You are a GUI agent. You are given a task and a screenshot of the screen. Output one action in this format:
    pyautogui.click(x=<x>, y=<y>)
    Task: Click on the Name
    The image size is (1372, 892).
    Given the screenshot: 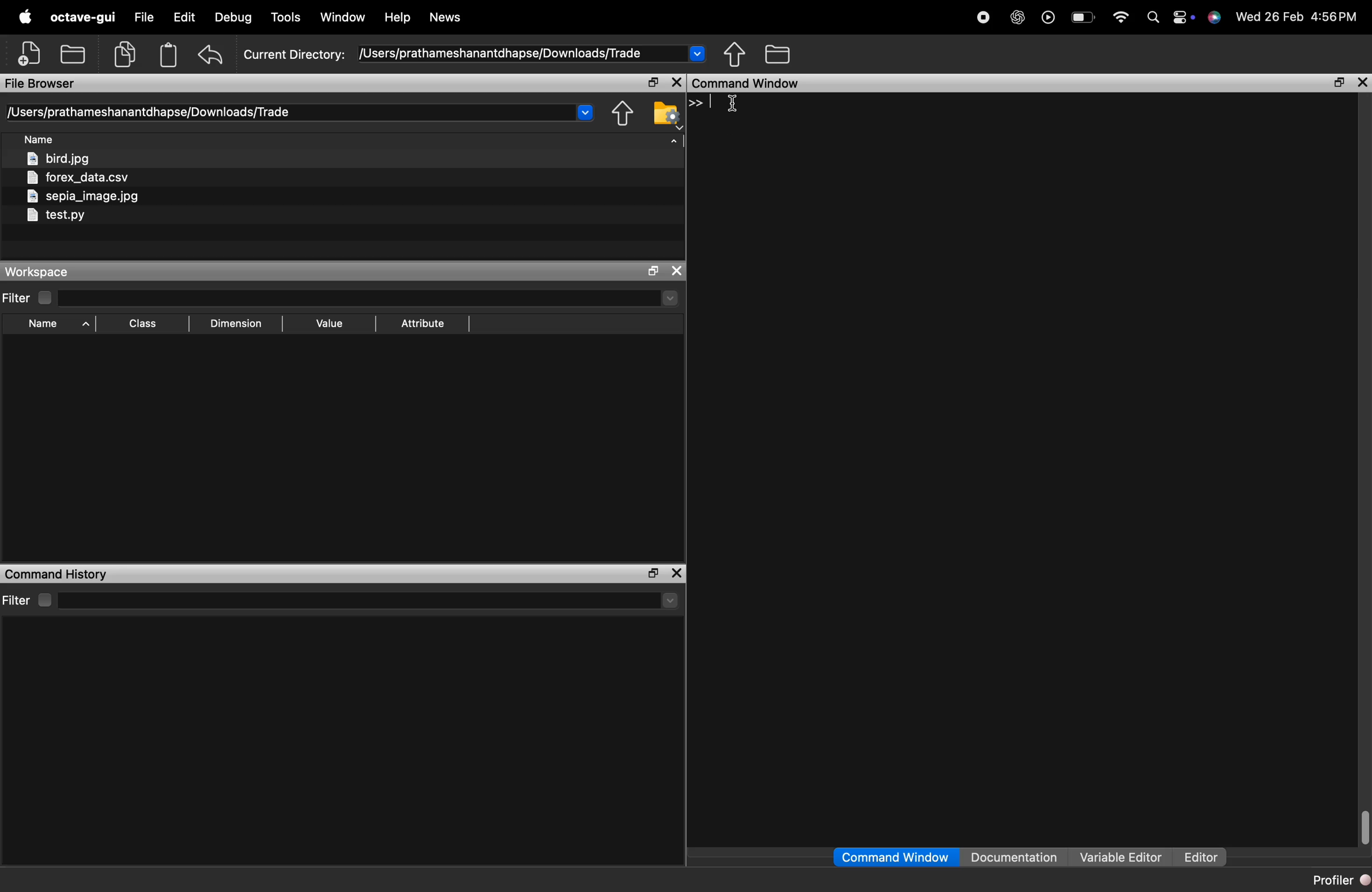 What is the action you would take?
    pyautogui.click(x=38, y=137)
    